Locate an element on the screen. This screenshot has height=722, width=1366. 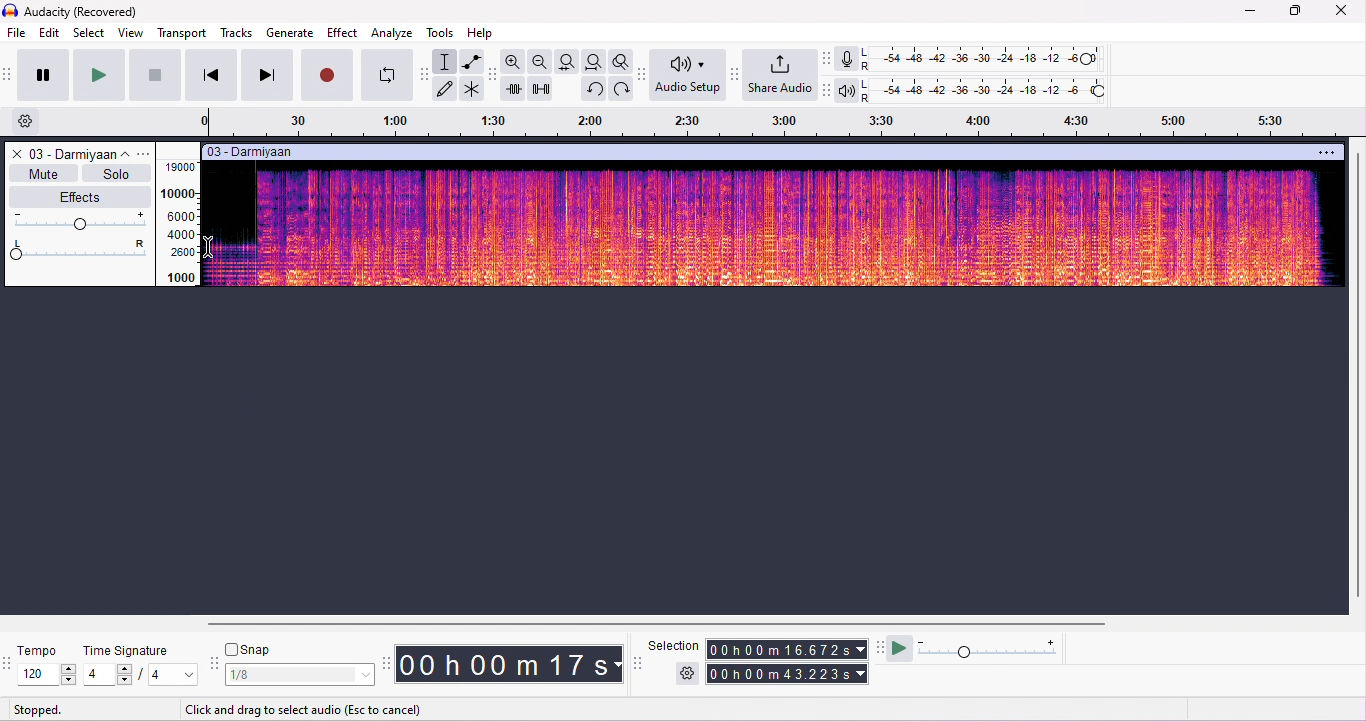
snap is located at coordinates (254, 648).